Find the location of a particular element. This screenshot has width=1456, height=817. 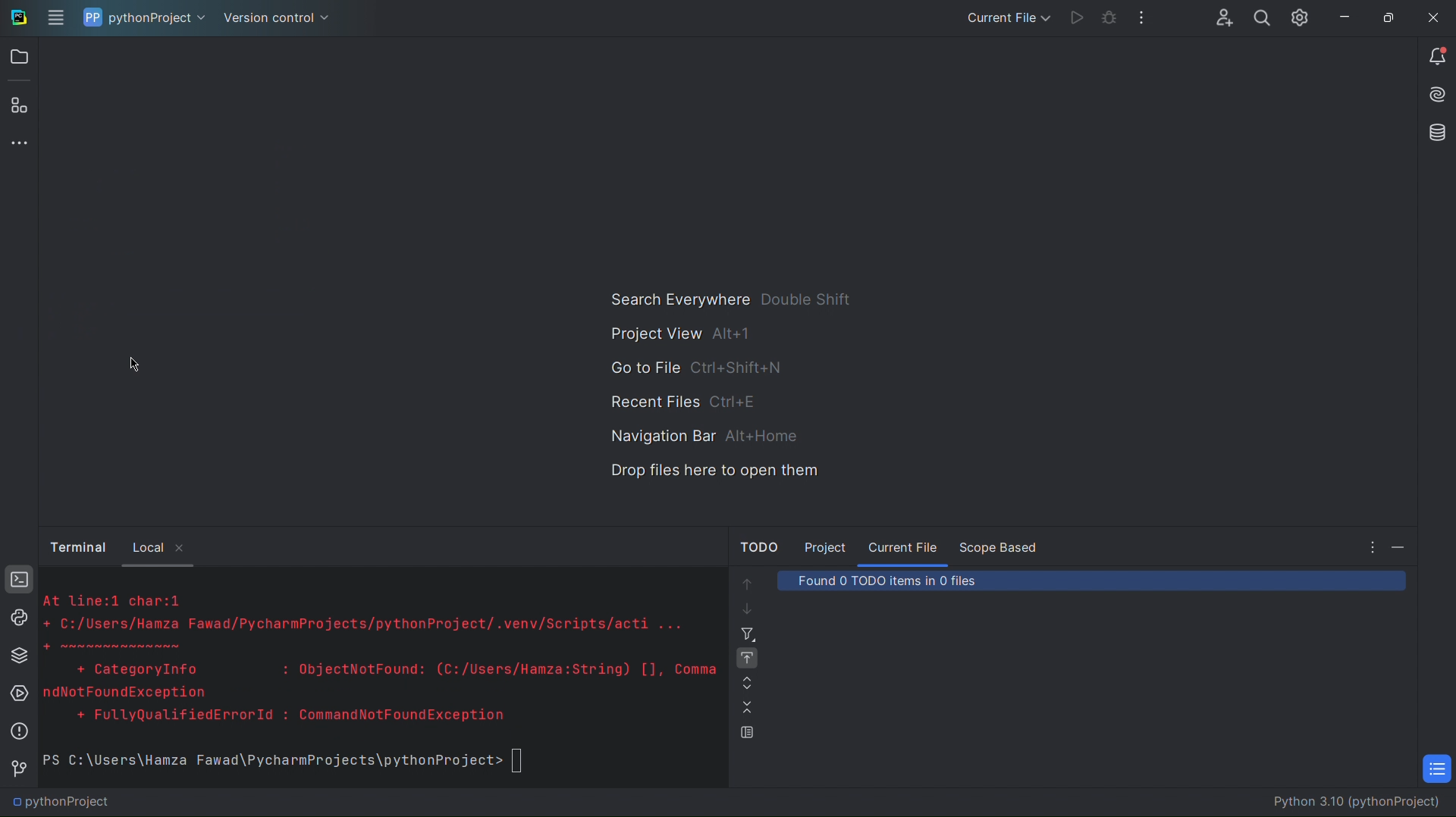

text box is located at coordinates (526, 759).